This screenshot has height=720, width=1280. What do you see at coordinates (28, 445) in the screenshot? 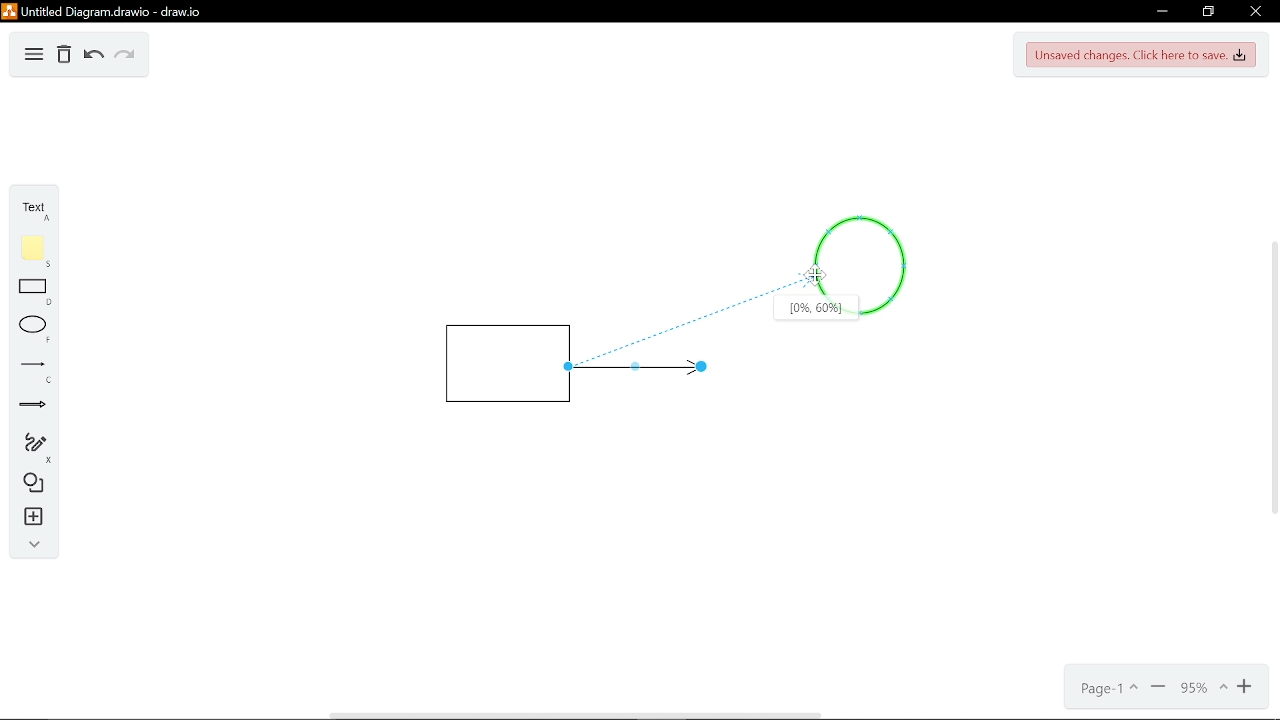
I see `Freehand` at bounding box center [28, 445].